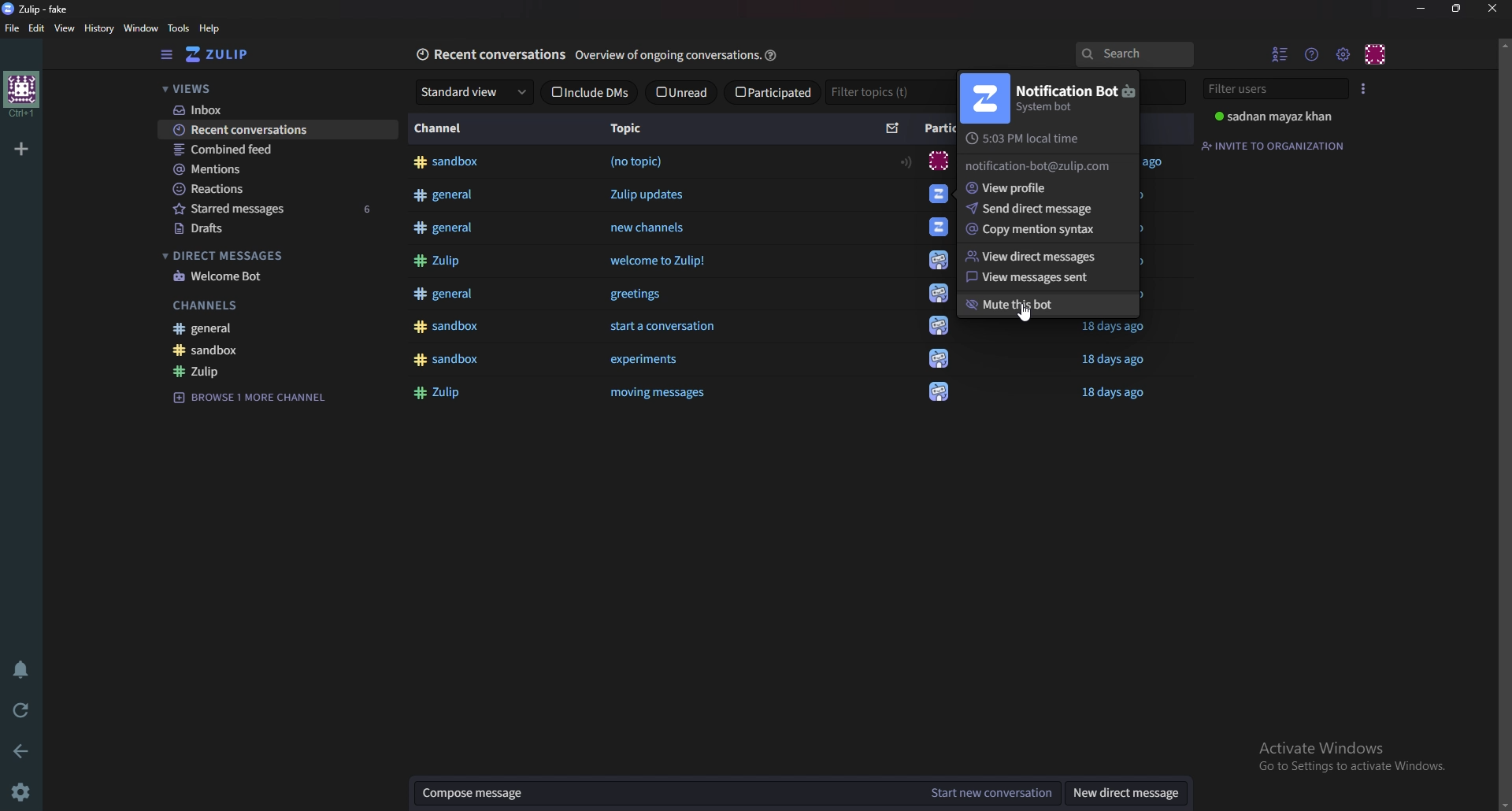  Describe the element at coordinates (1041, 187) in the screenshot. I see `View profile` at that location.